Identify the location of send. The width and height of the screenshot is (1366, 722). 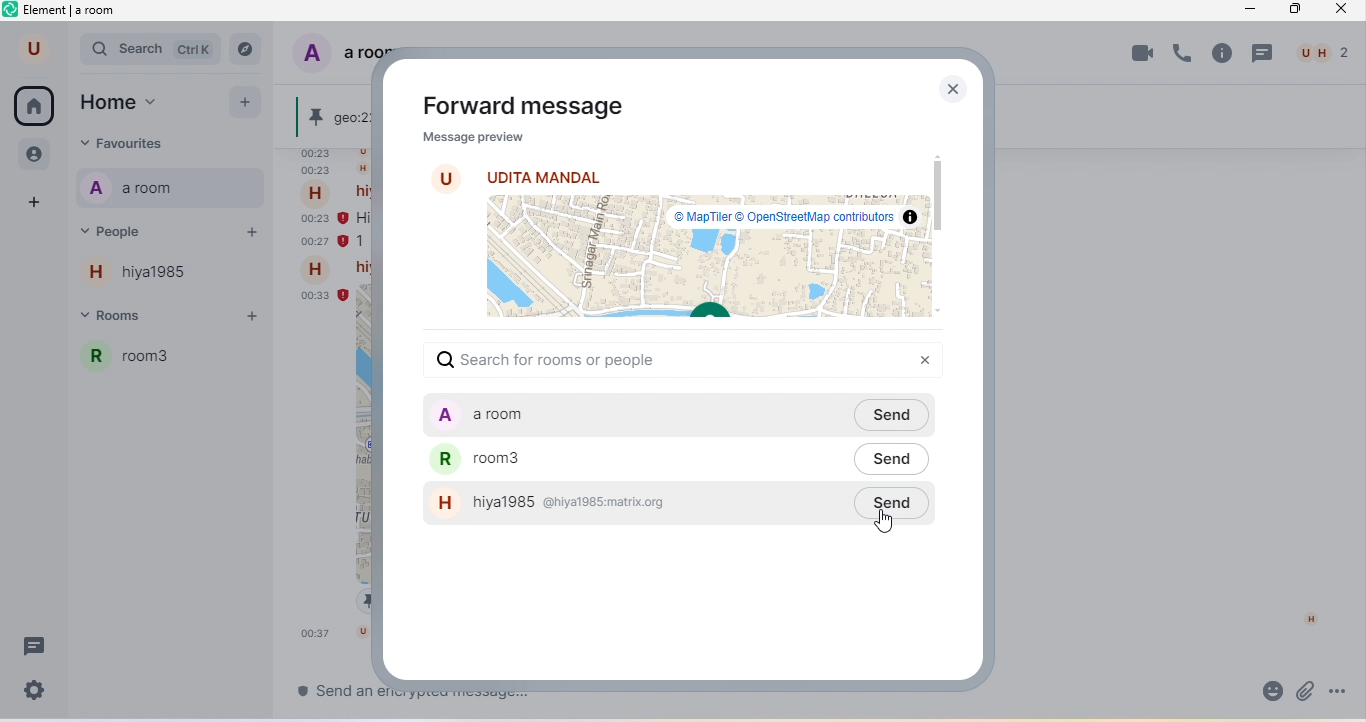
(899, 457).